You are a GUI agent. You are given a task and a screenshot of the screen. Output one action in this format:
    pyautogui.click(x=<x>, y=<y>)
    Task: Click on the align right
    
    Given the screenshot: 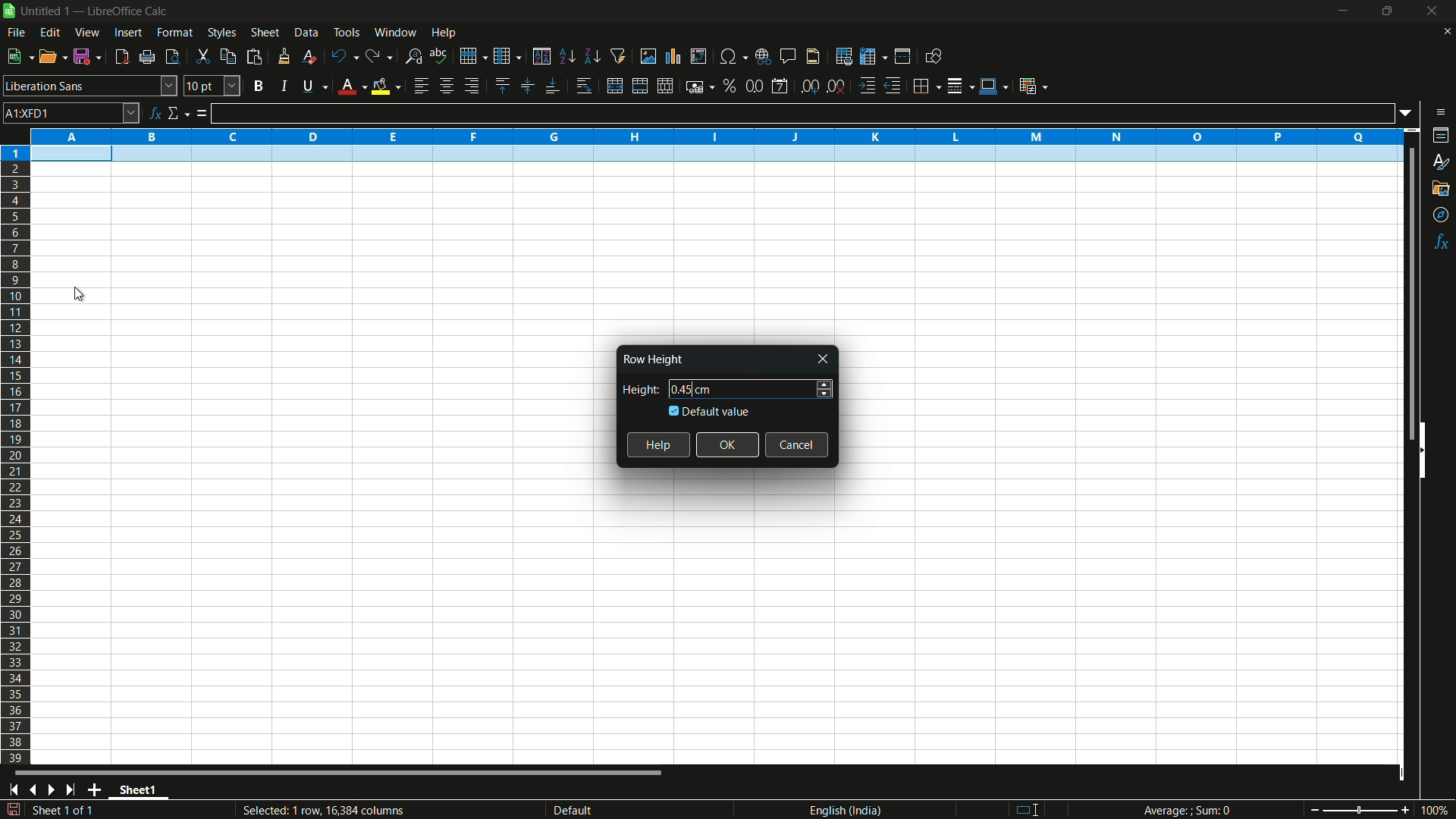 What is the action you would take?
    pyautogui.click(x=470, y=86)
    